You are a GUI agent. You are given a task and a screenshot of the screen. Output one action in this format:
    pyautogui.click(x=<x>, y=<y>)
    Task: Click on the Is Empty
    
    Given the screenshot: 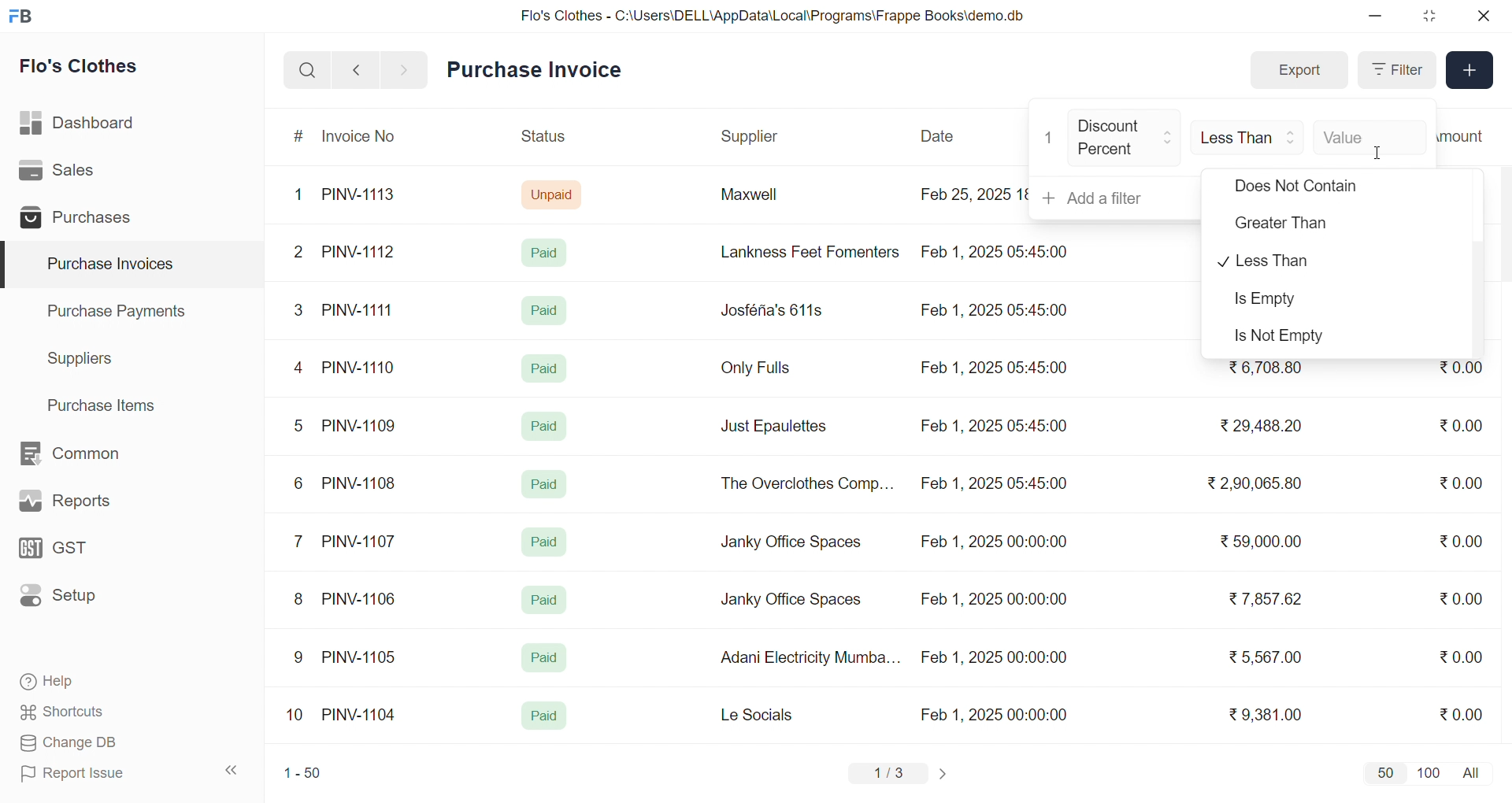 What is the action you would take?
    pyautogui.click(x=1295, y=302)
    